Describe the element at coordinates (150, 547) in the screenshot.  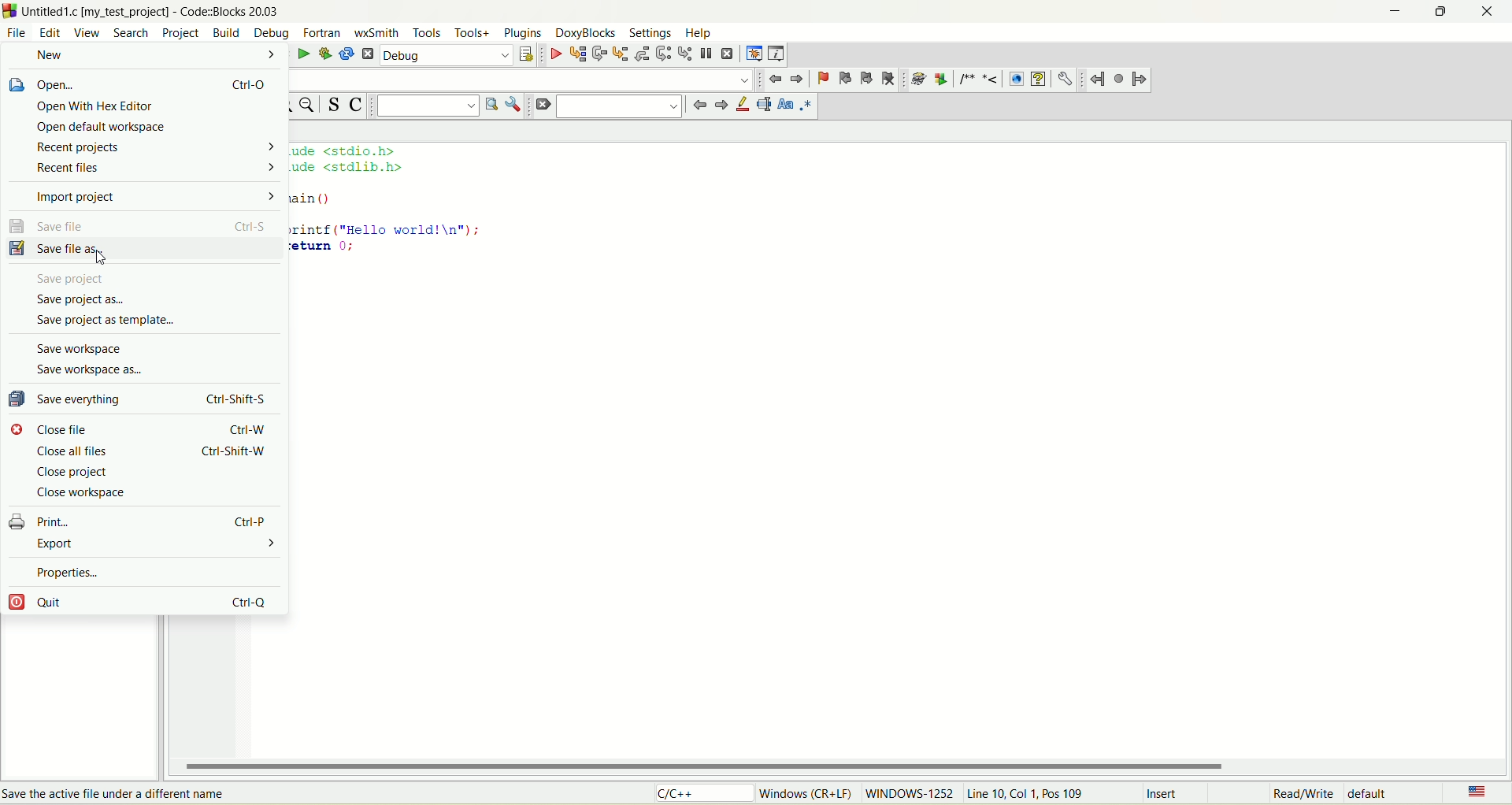
I see `export` at that location.